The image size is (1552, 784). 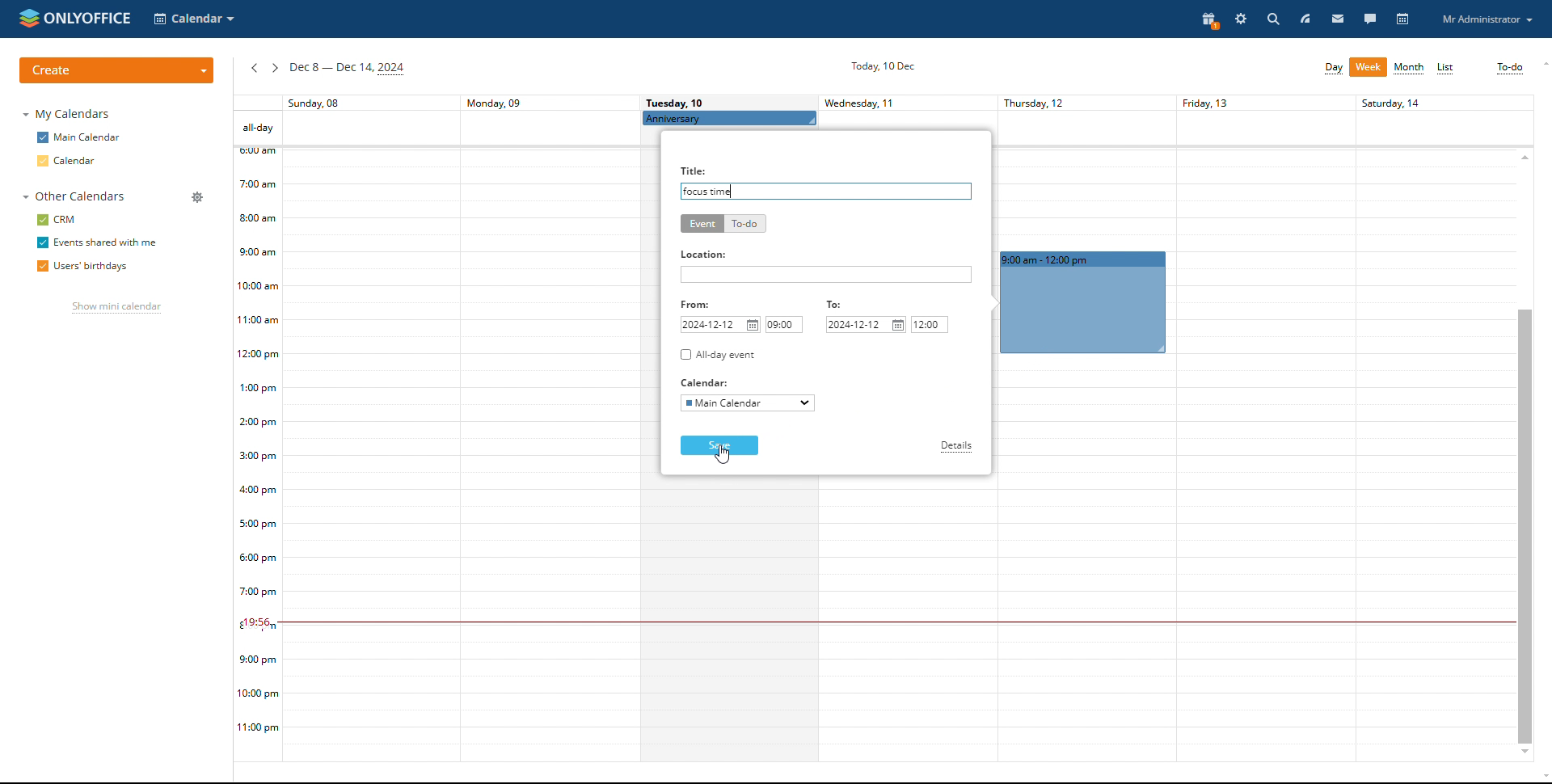 What do you see at coordinates (957, 447) in the screenshot?
I see `details` at bounding box center [957, 447].